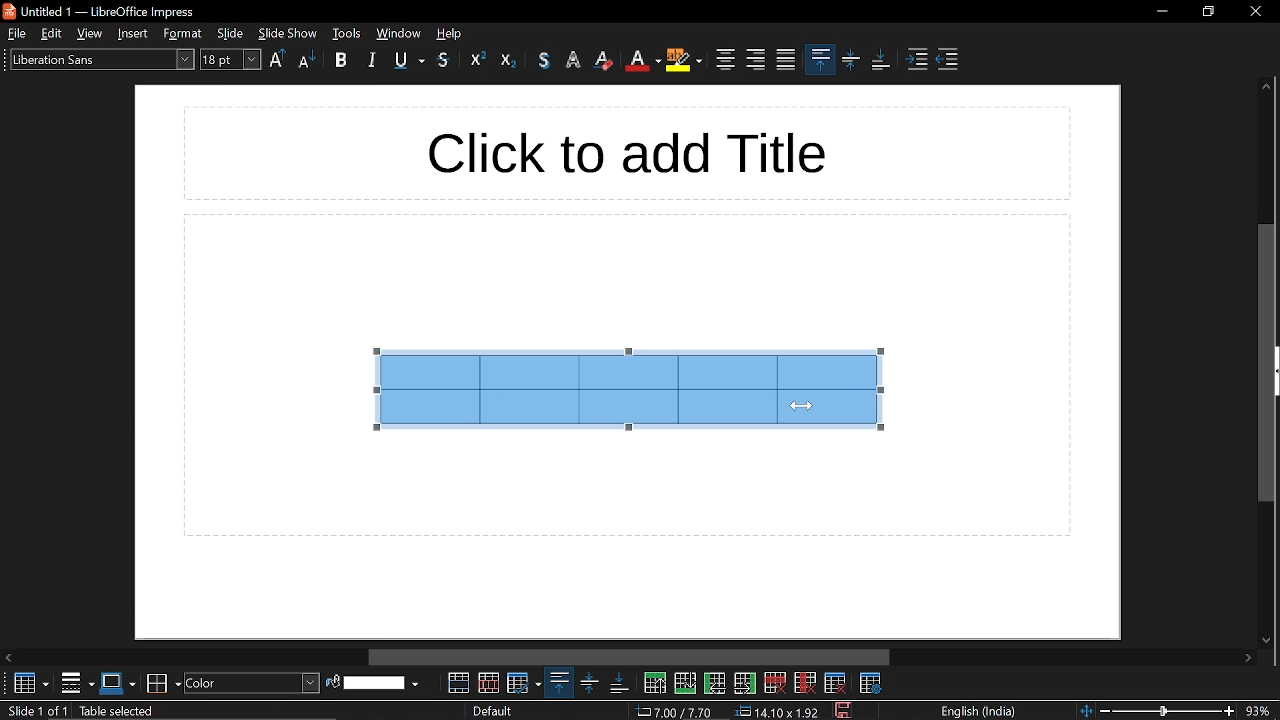 The width and height of the screenshot is (1280, 720). Describe the element at coordinates (182, 34) in the screenshot. I see `style` at that location.